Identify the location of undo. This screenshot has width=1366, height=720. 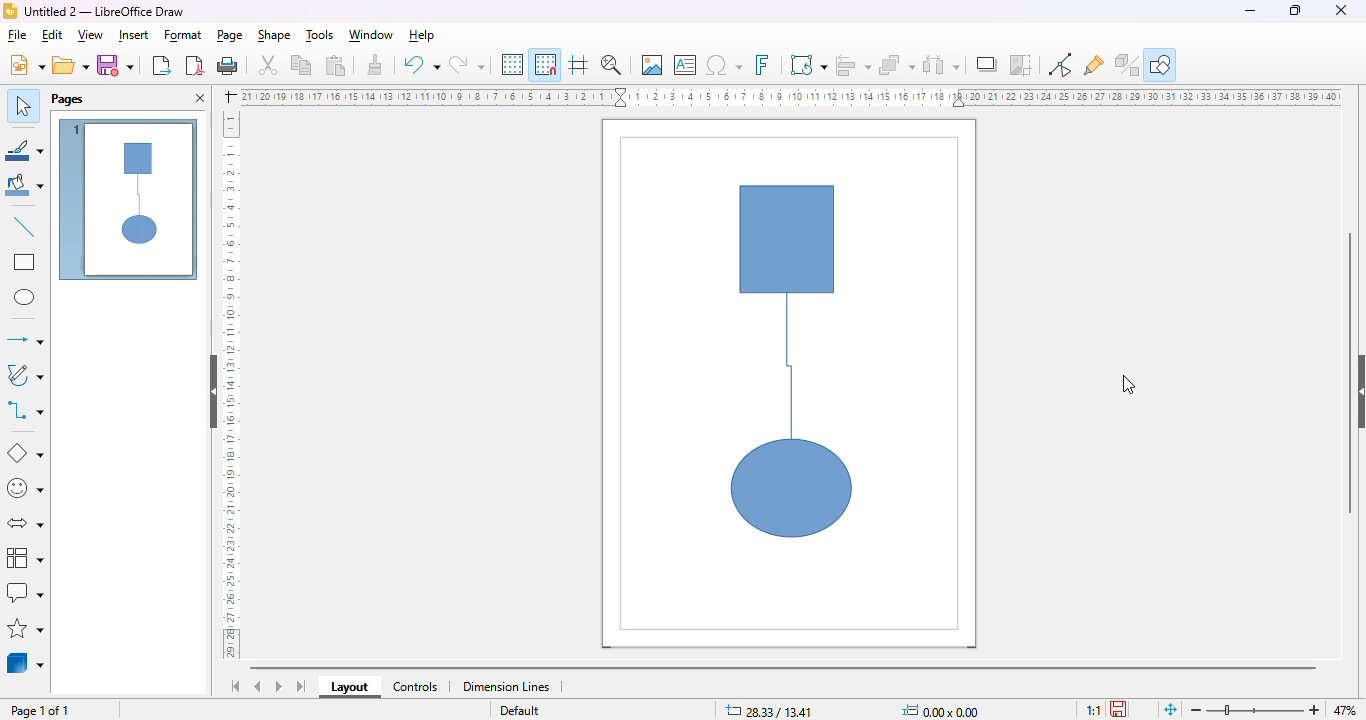
(421, 66).